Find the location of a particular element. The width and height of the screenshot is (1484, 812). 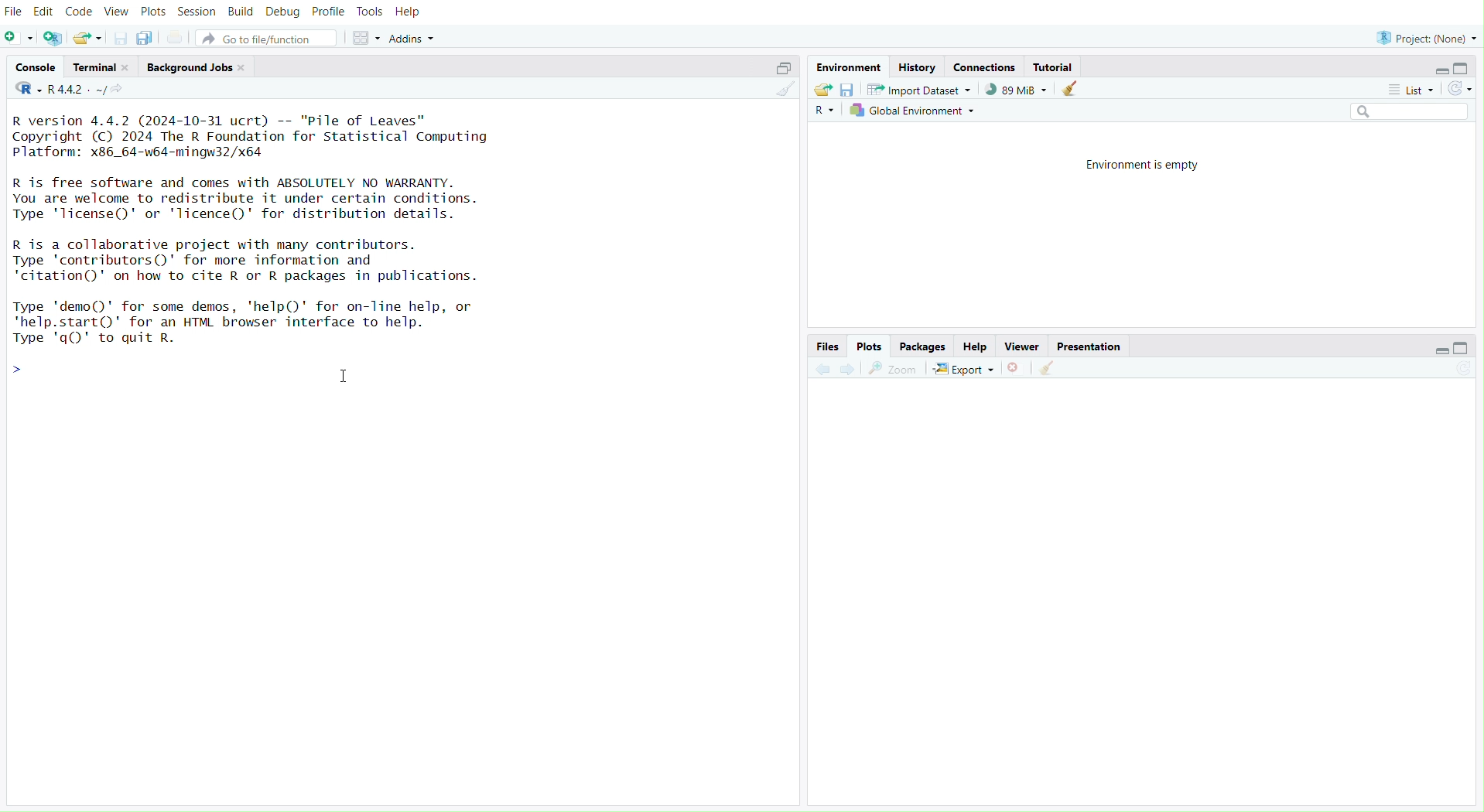

View the current working directory is located at coordinates (133, 90).